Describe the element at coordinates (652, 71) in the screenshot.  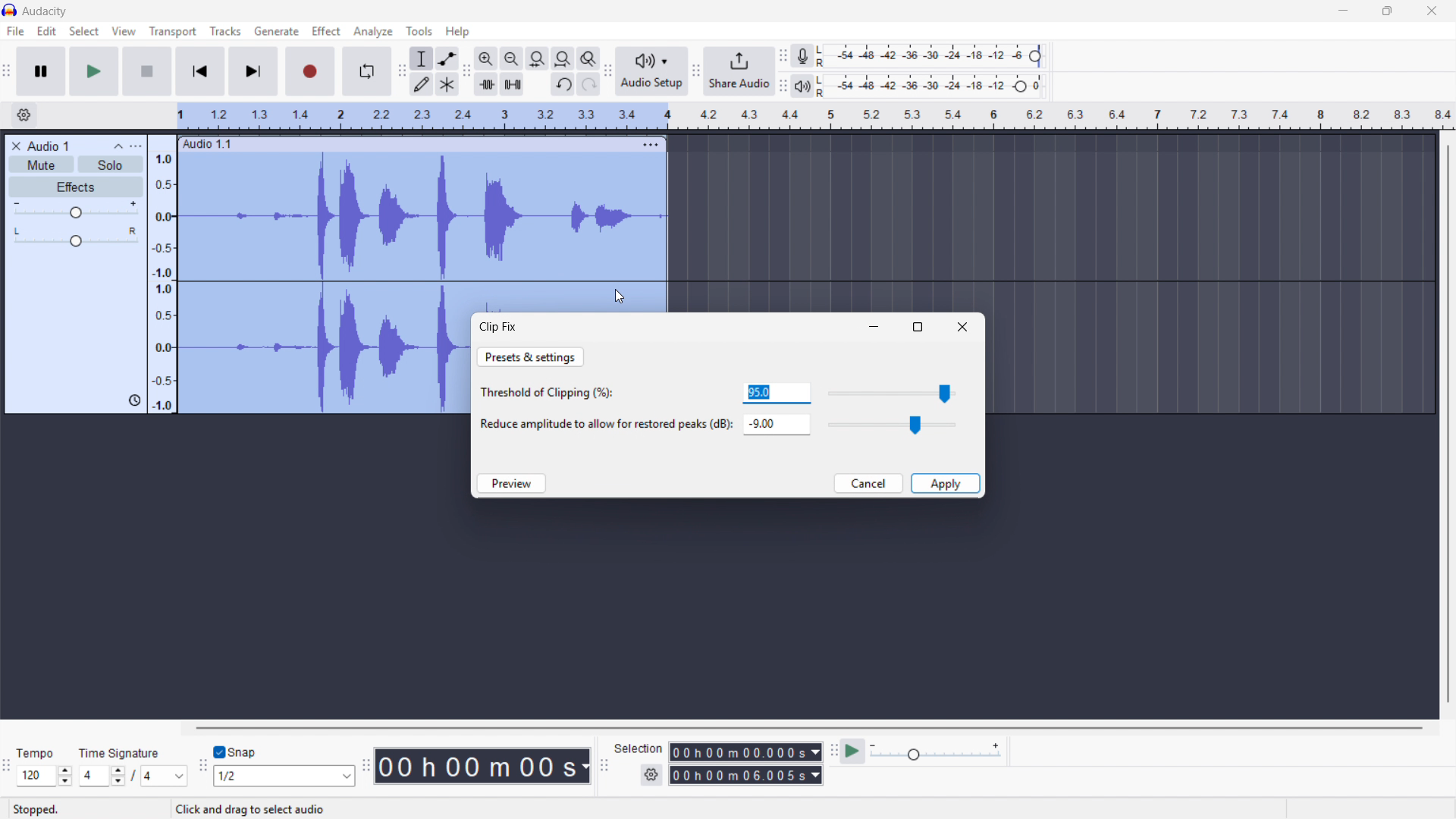
I see `audio setup` at that location.